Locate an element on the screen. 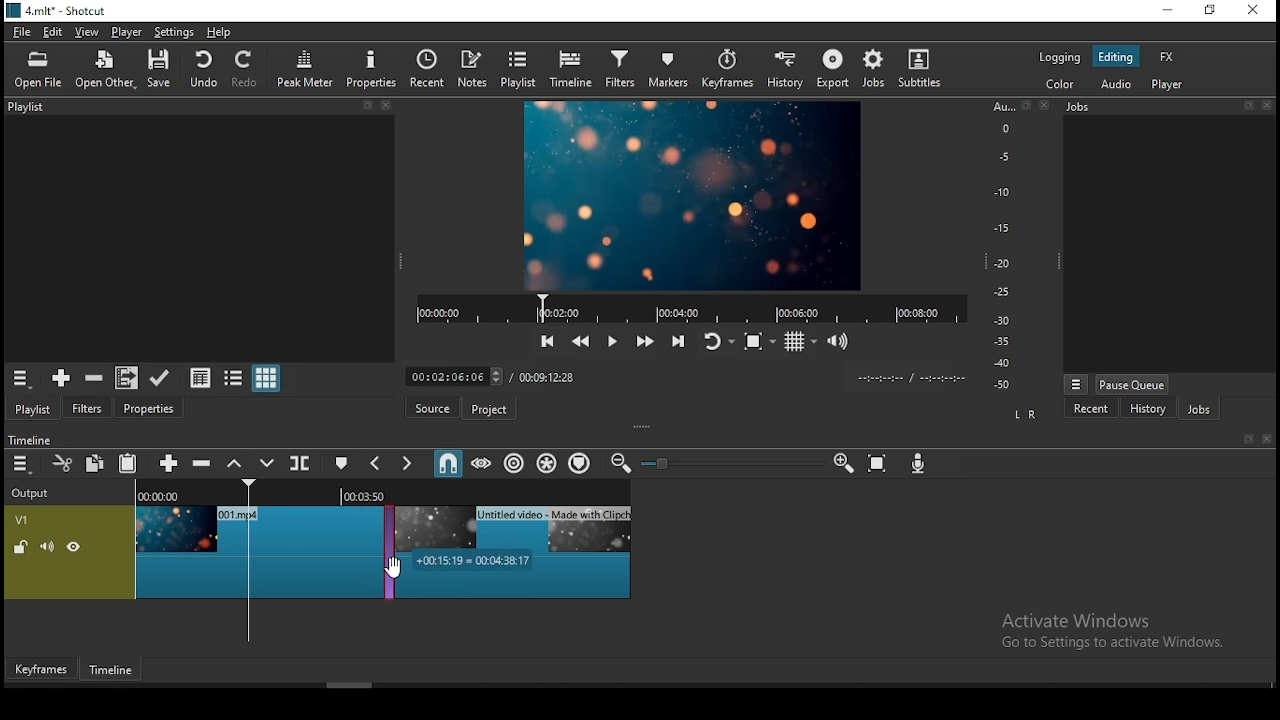 The image size is (1280, 720). zoom timeline to fit is located at coordinates (879, 462).